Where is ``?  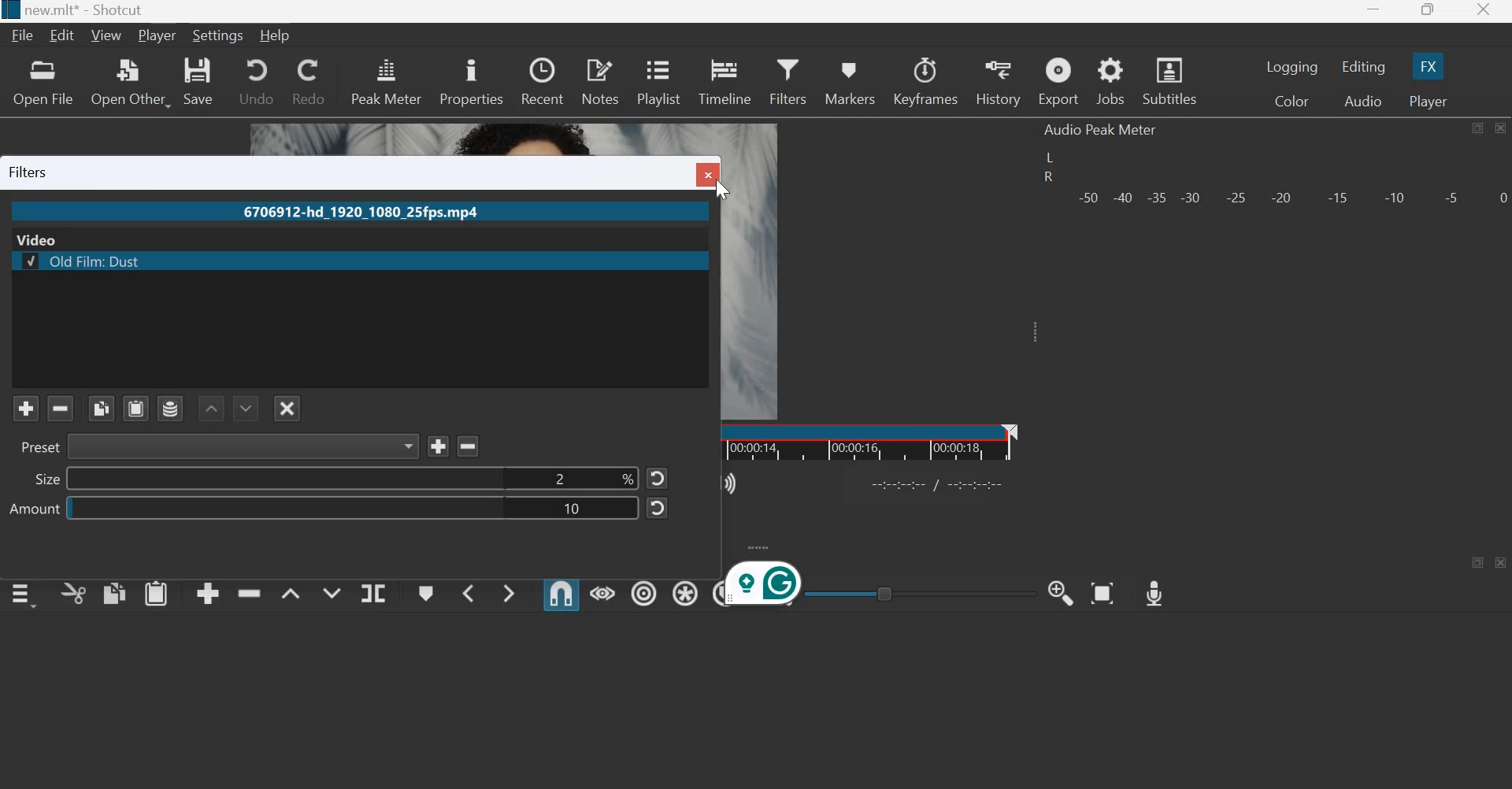  is located at coordinates (661, 509).